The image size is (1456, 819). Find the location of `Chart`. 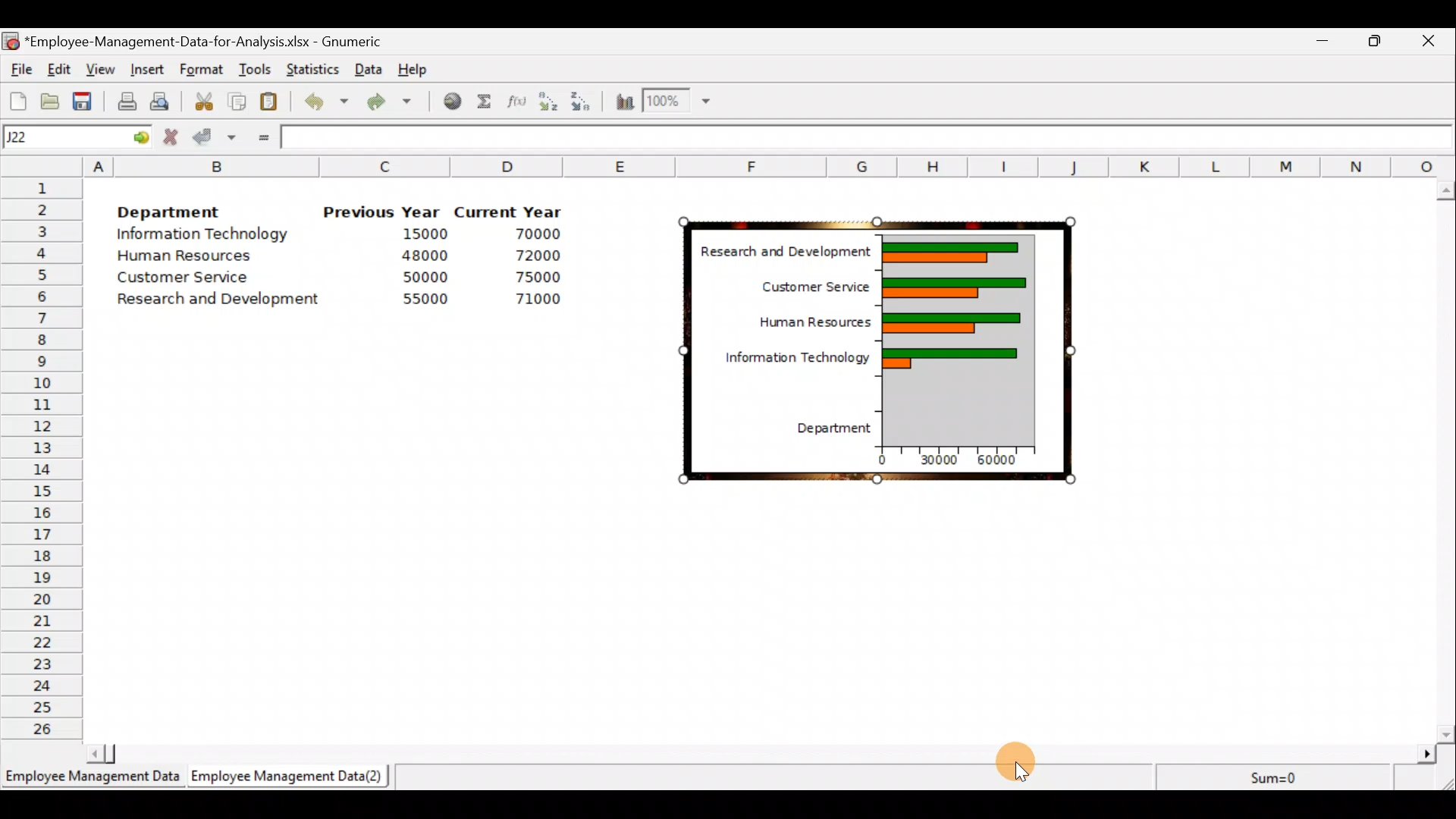

Chart is located at coordinates (956, 337).